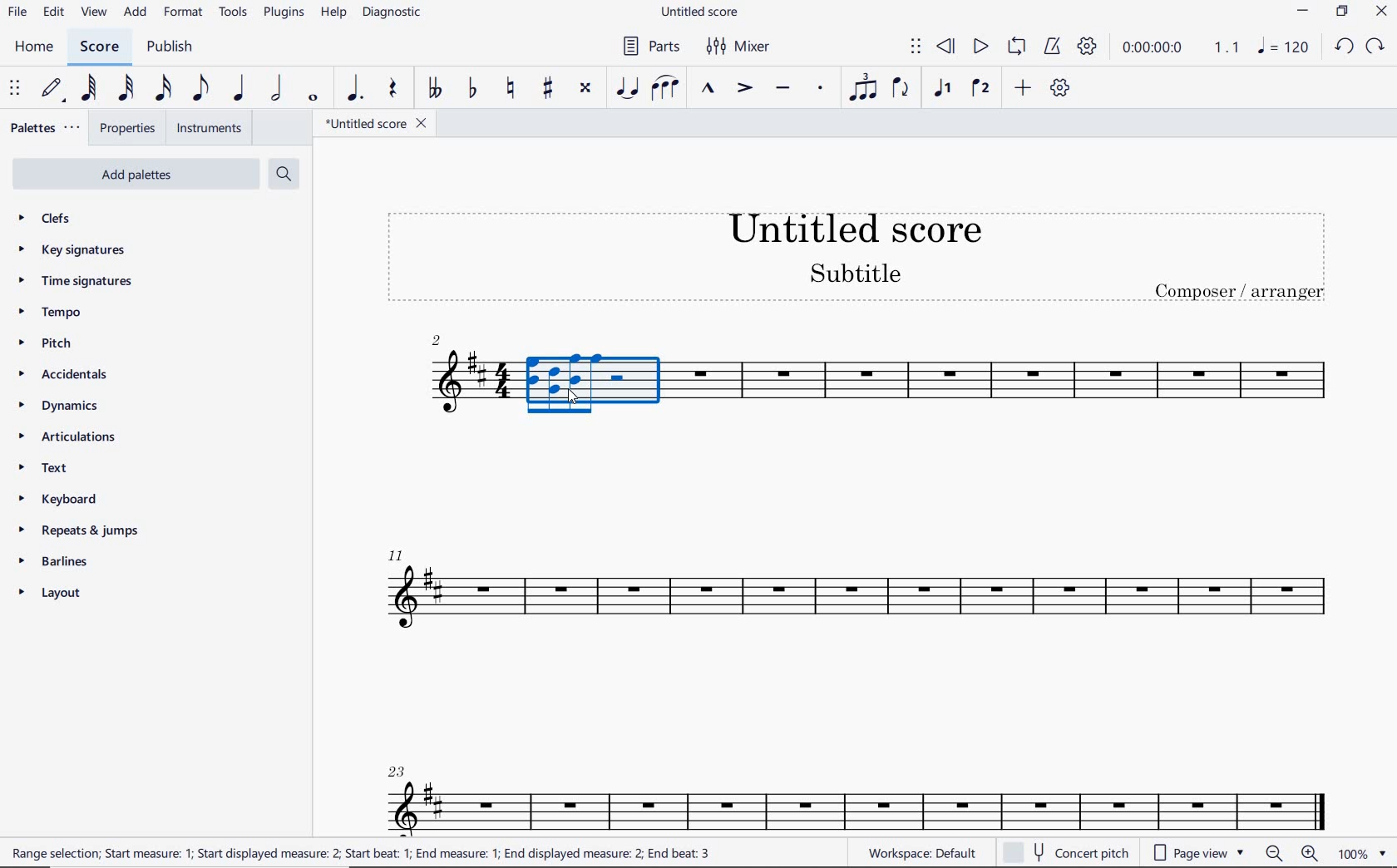  I want to click on HALF NOTE, so click(278, 89).